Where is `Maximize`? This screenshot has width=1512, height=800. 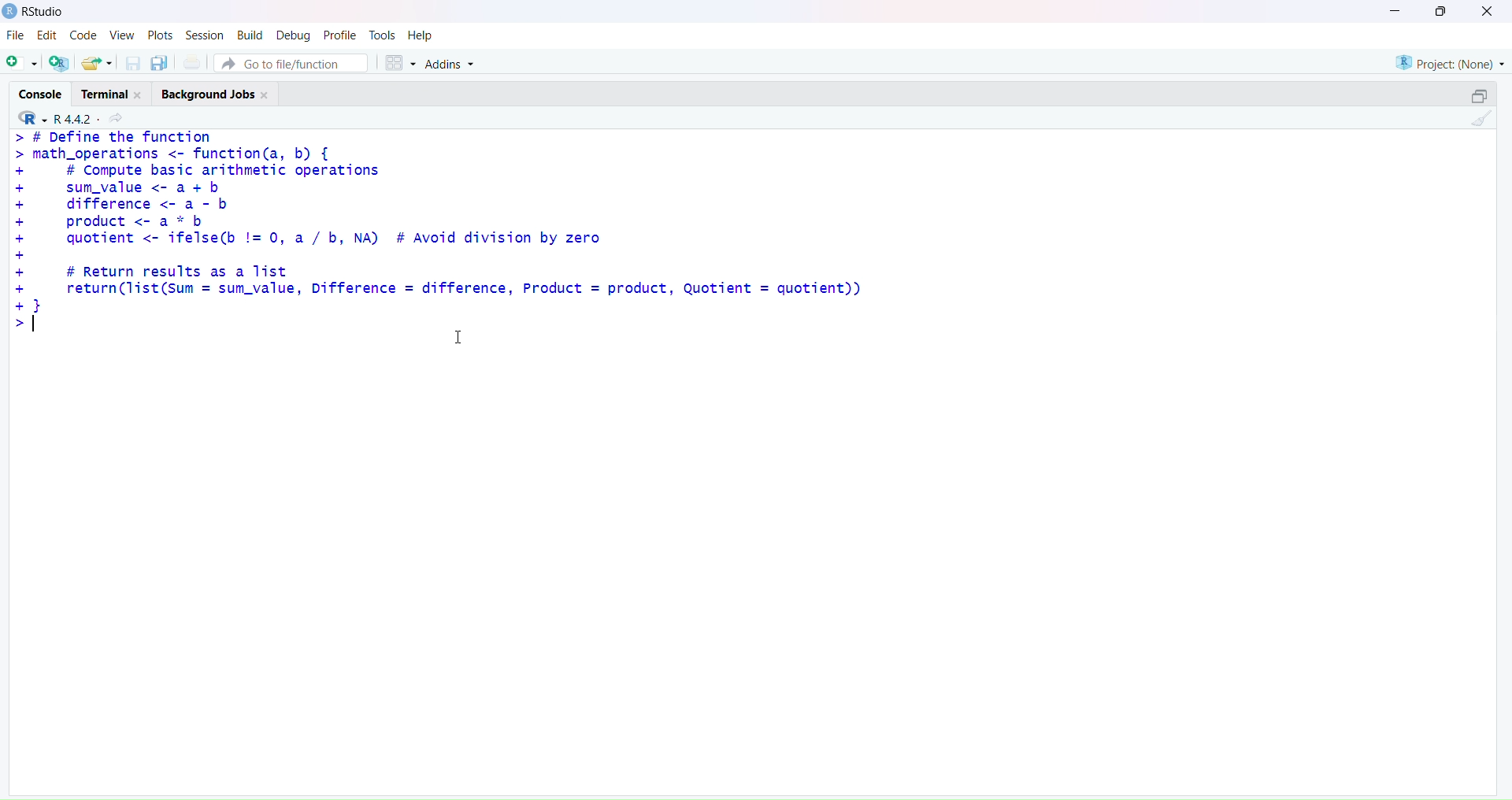 Maximize is located at coordinates (1442, 12).